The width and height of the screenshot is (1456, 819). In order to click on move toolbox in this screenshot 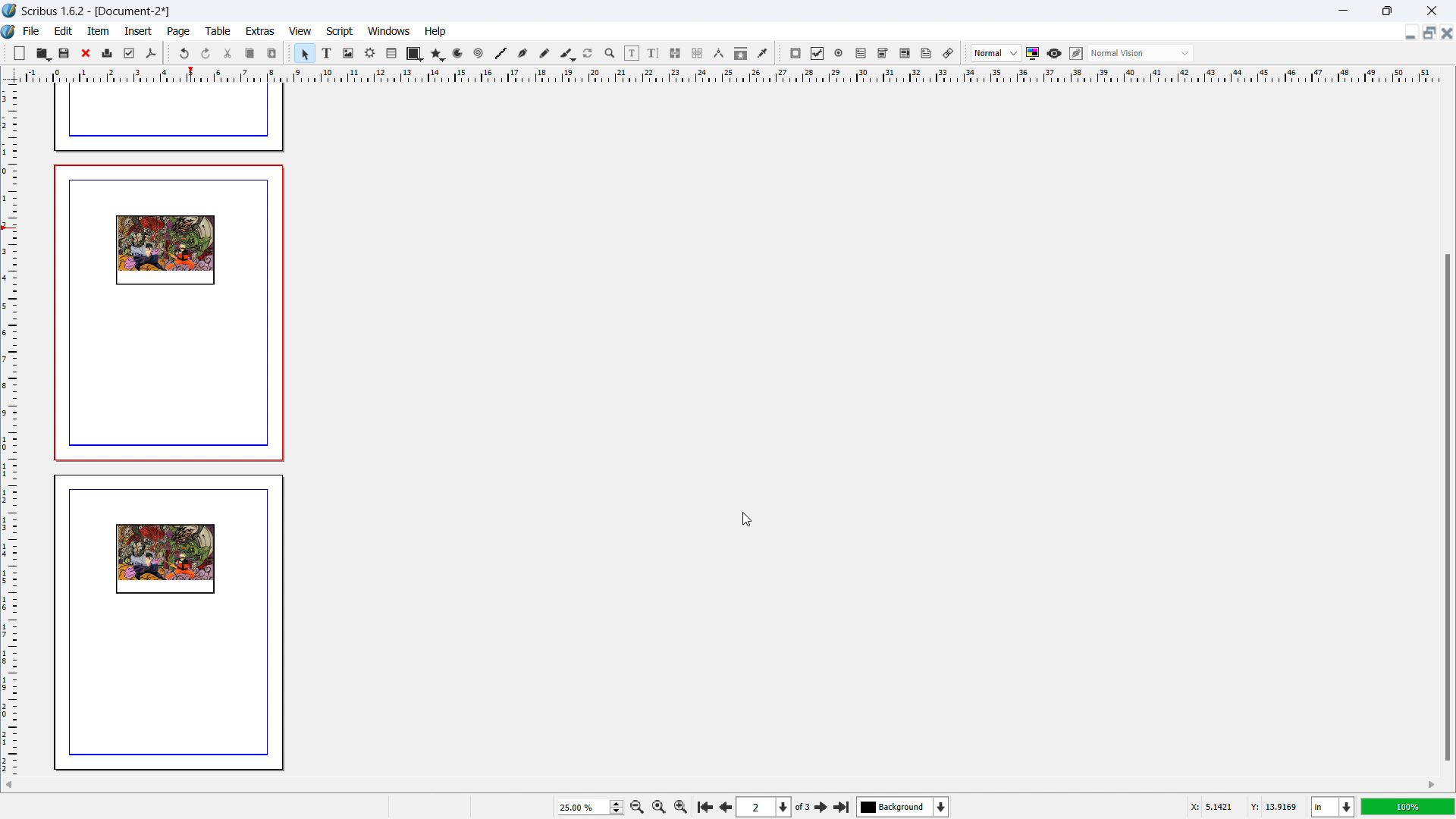, I will do `click(780, 54)`.